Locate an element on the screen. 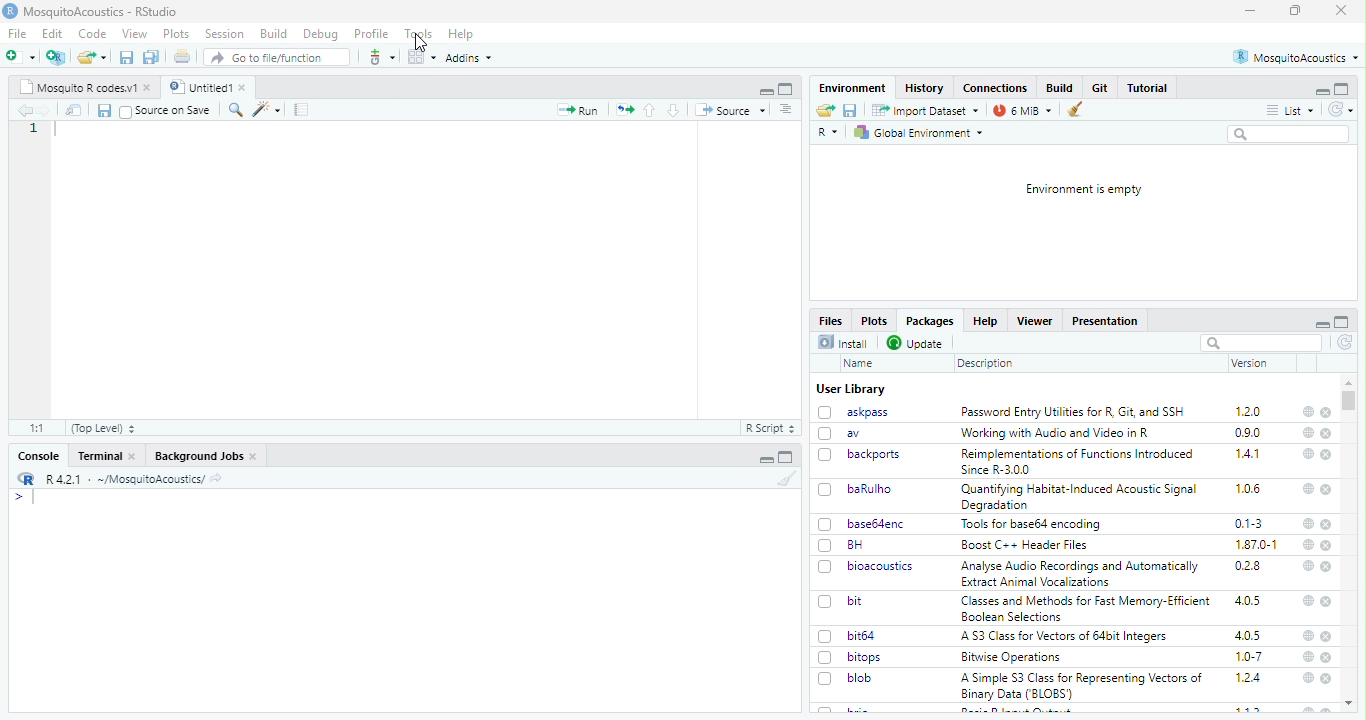 Image resolution: width=1366 pixels, height=720 pixels. File is located at coordinates (19, 34).